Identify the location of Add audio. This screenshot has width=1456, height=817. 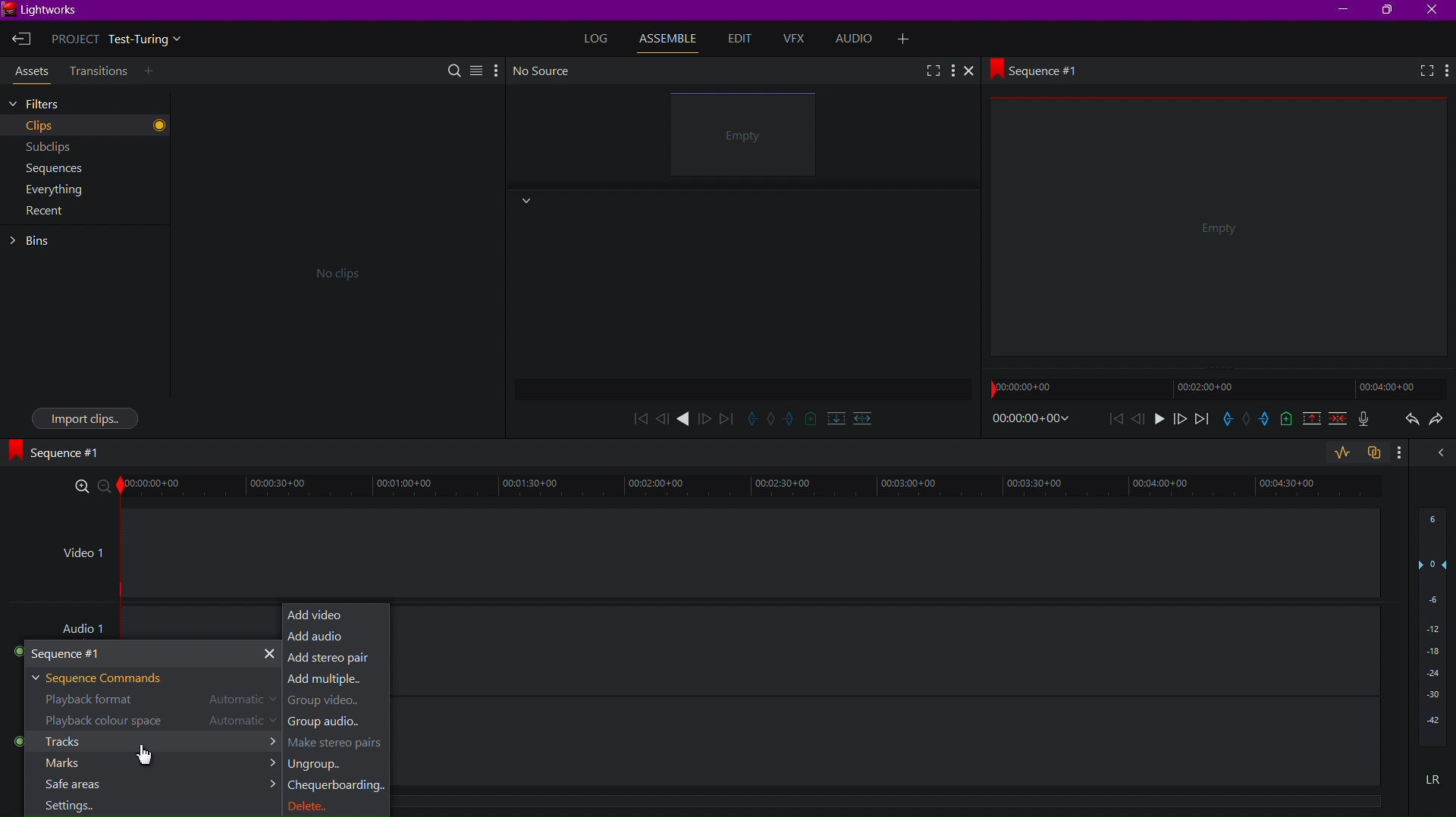
(334, 637).